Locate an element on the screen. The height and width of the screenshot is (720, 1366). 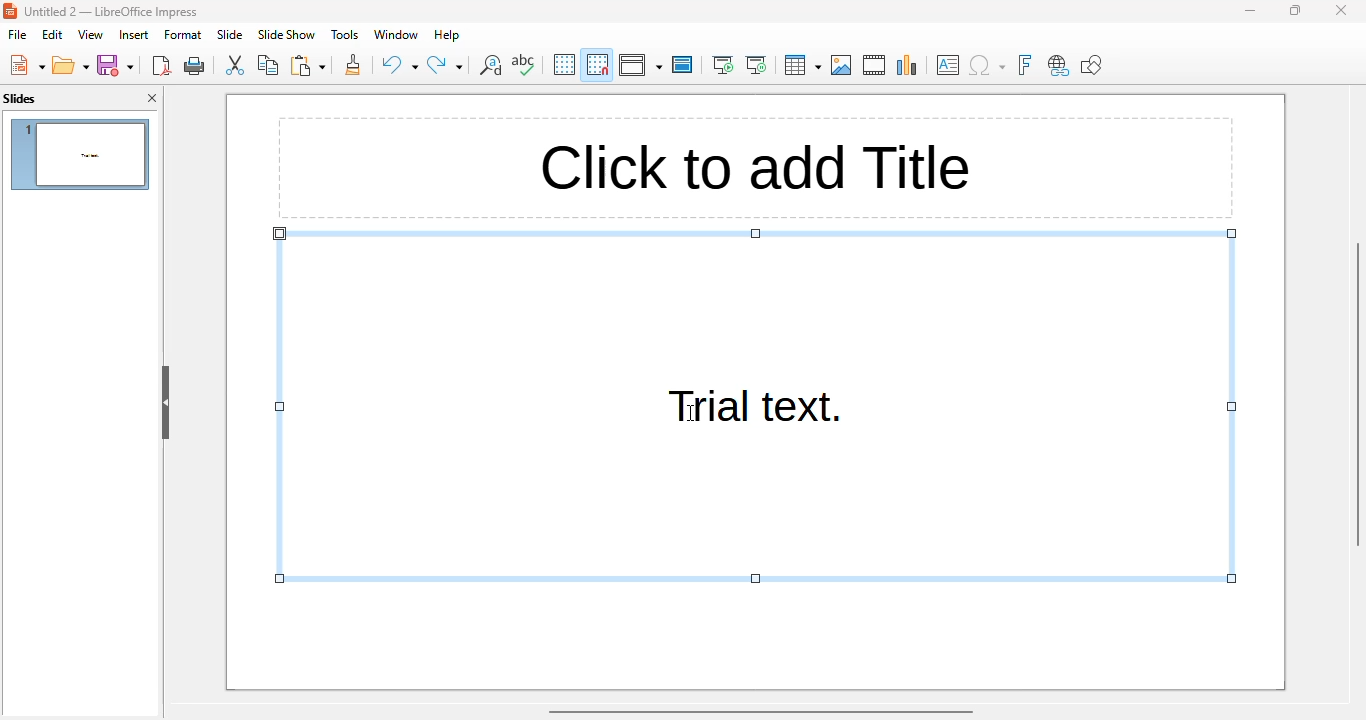
open is located at coordinates (71, 64).